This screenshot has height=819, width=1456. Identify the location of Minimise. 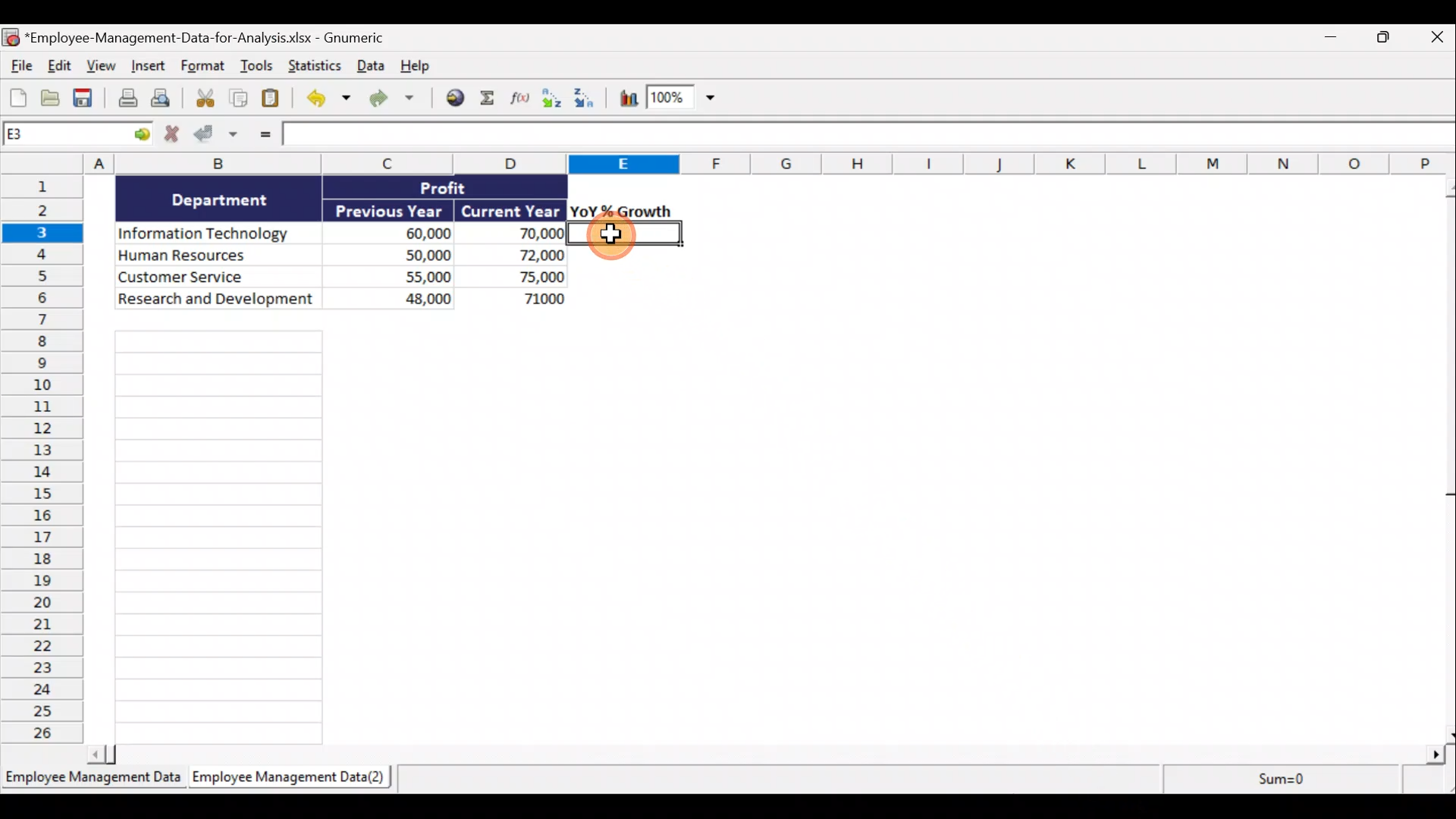
(1328, 40).